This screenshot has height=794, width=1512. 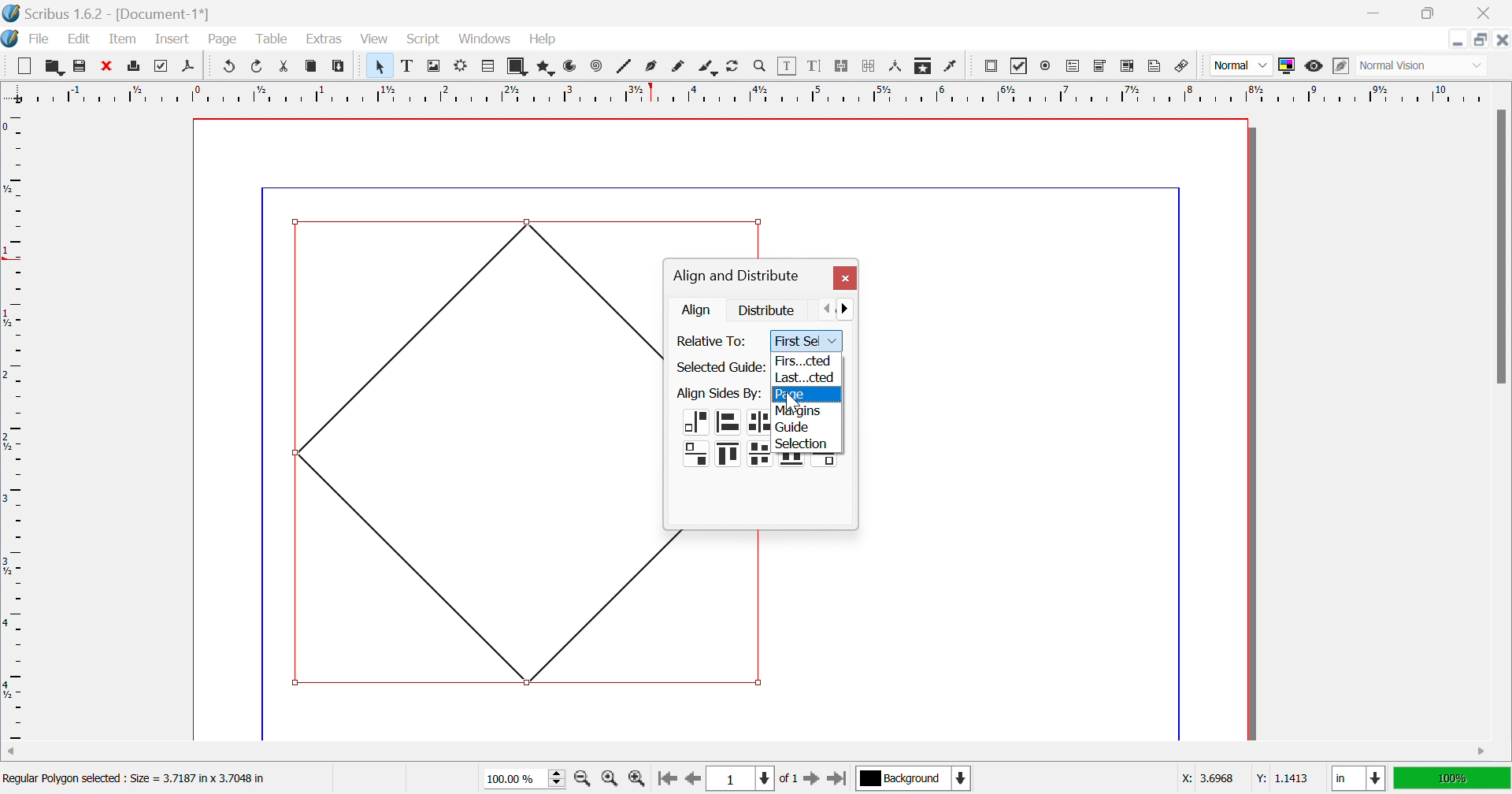 What do you see at coordinates (787, 64) in the screenshot?
I see `Edit contents of frame` at bounding box center [787, 64].